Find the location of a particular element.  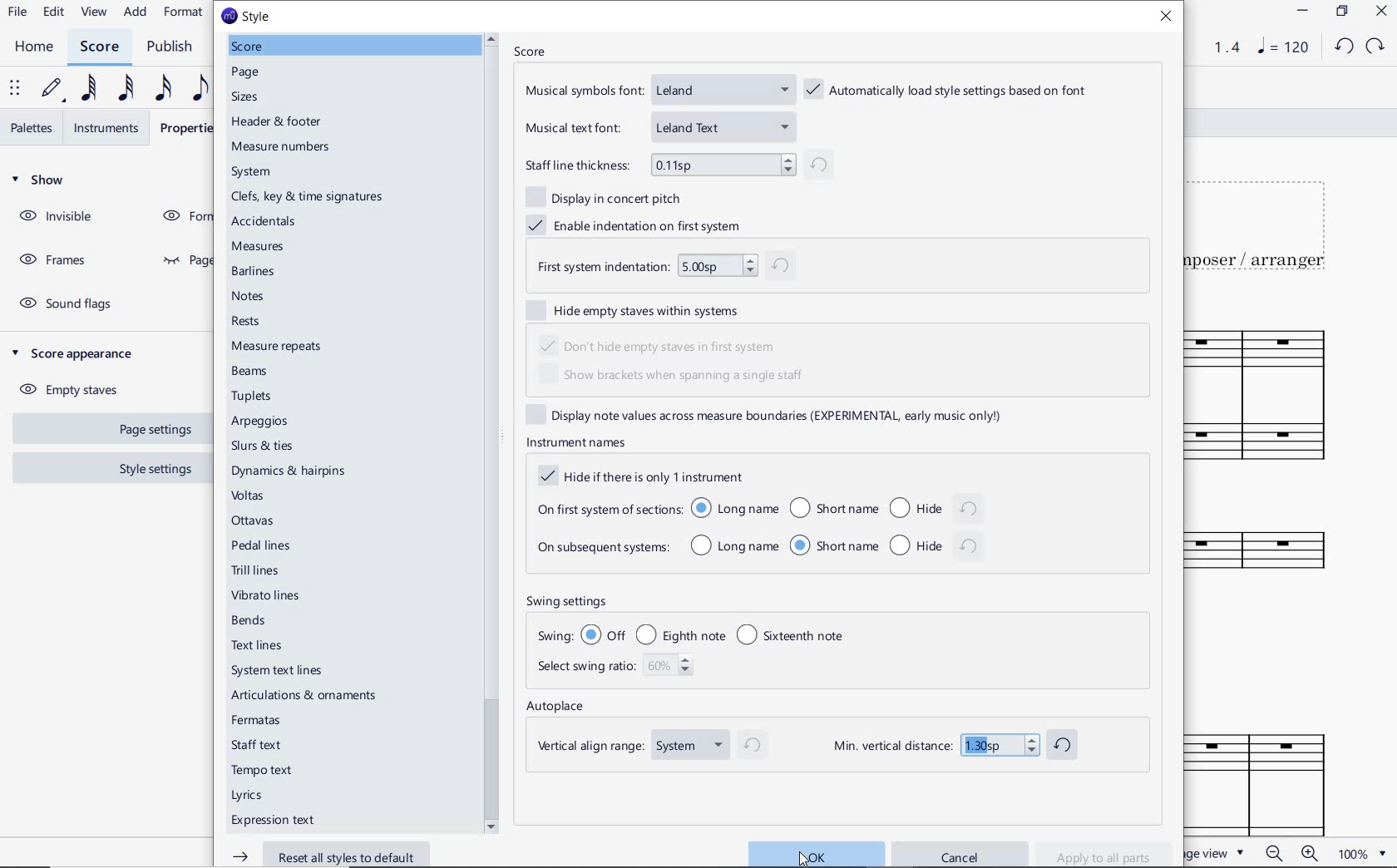

CLOSE is located at coordinates (1380, 12).